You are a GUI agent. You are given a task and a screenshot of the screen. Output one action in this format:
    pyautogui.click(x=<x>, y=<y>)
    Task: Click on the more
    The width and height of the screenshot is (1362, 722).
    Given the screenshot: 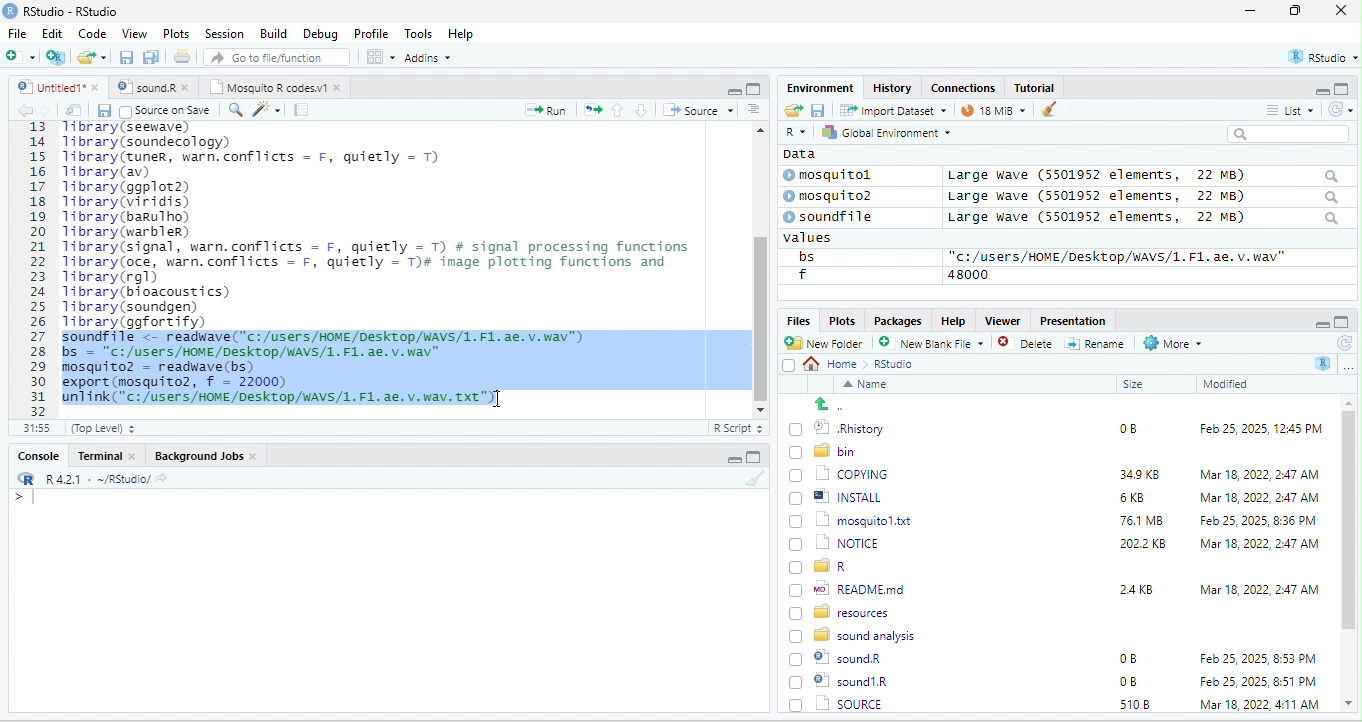 What is the action you would take?
    pyautogui.click(x=1348, y=366)
    